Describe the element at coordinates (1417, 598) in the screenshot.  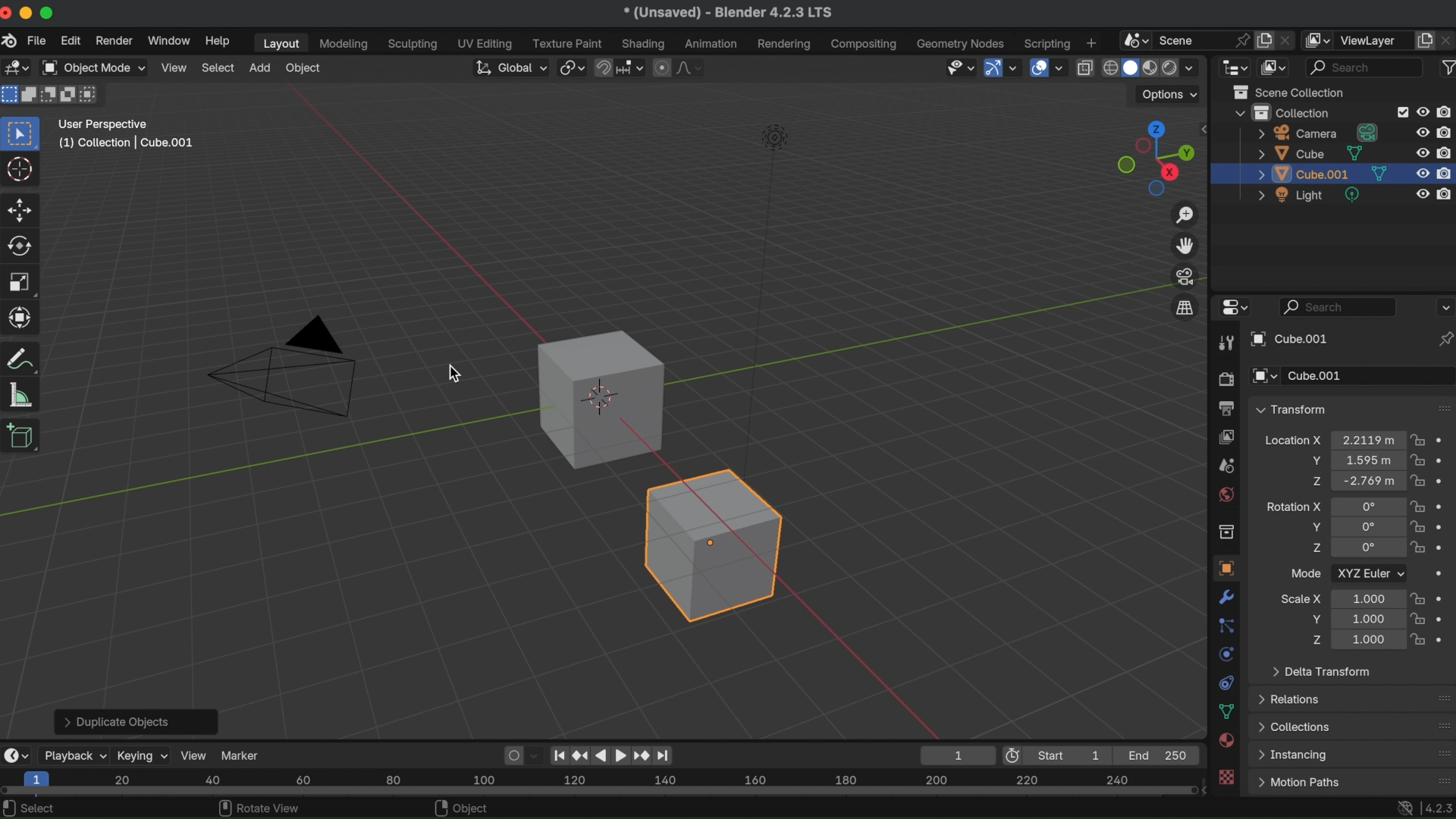
I see `lock scale` at that location.